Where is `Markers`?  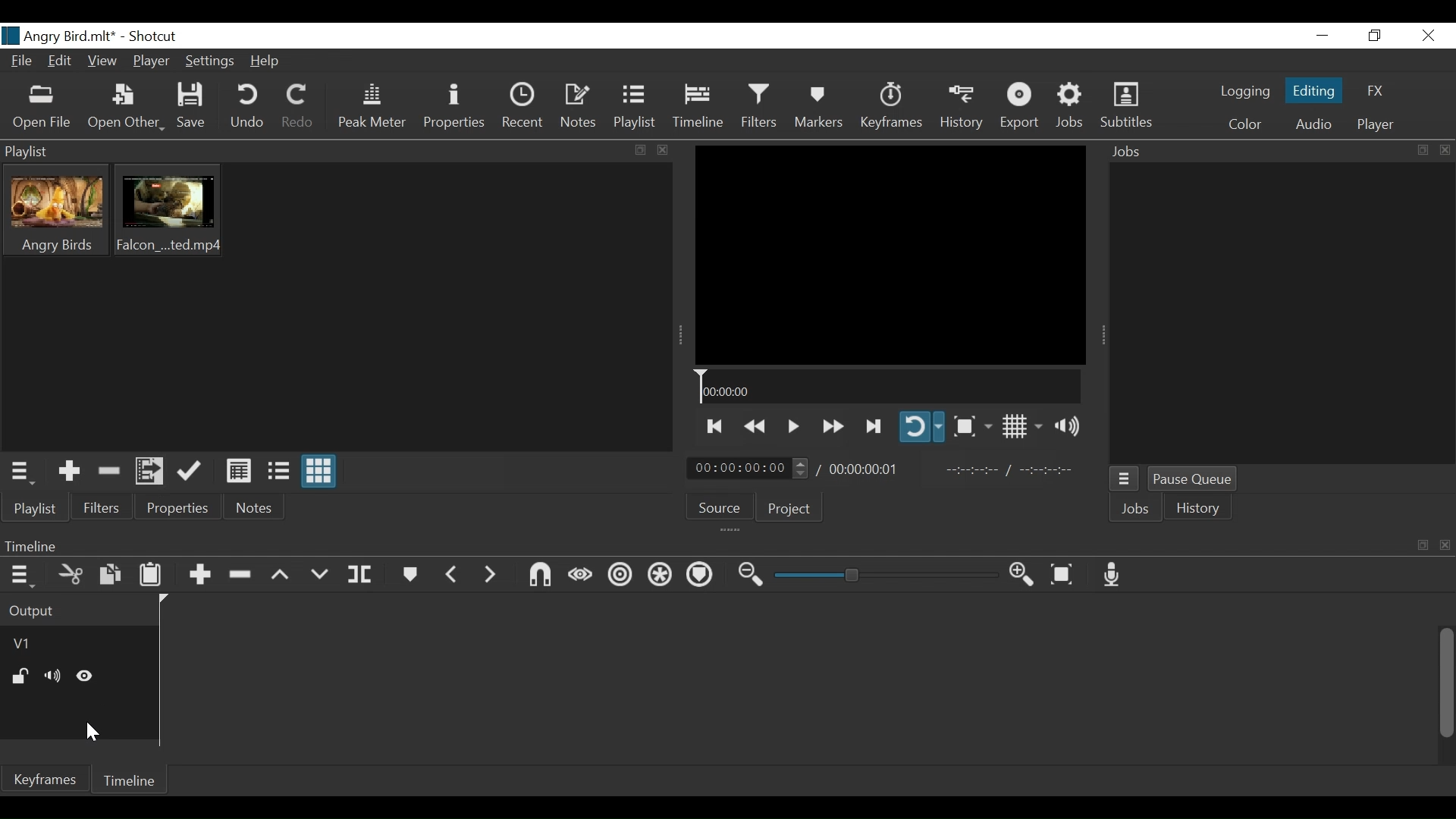
Markers is located at coordinates (410, 575).